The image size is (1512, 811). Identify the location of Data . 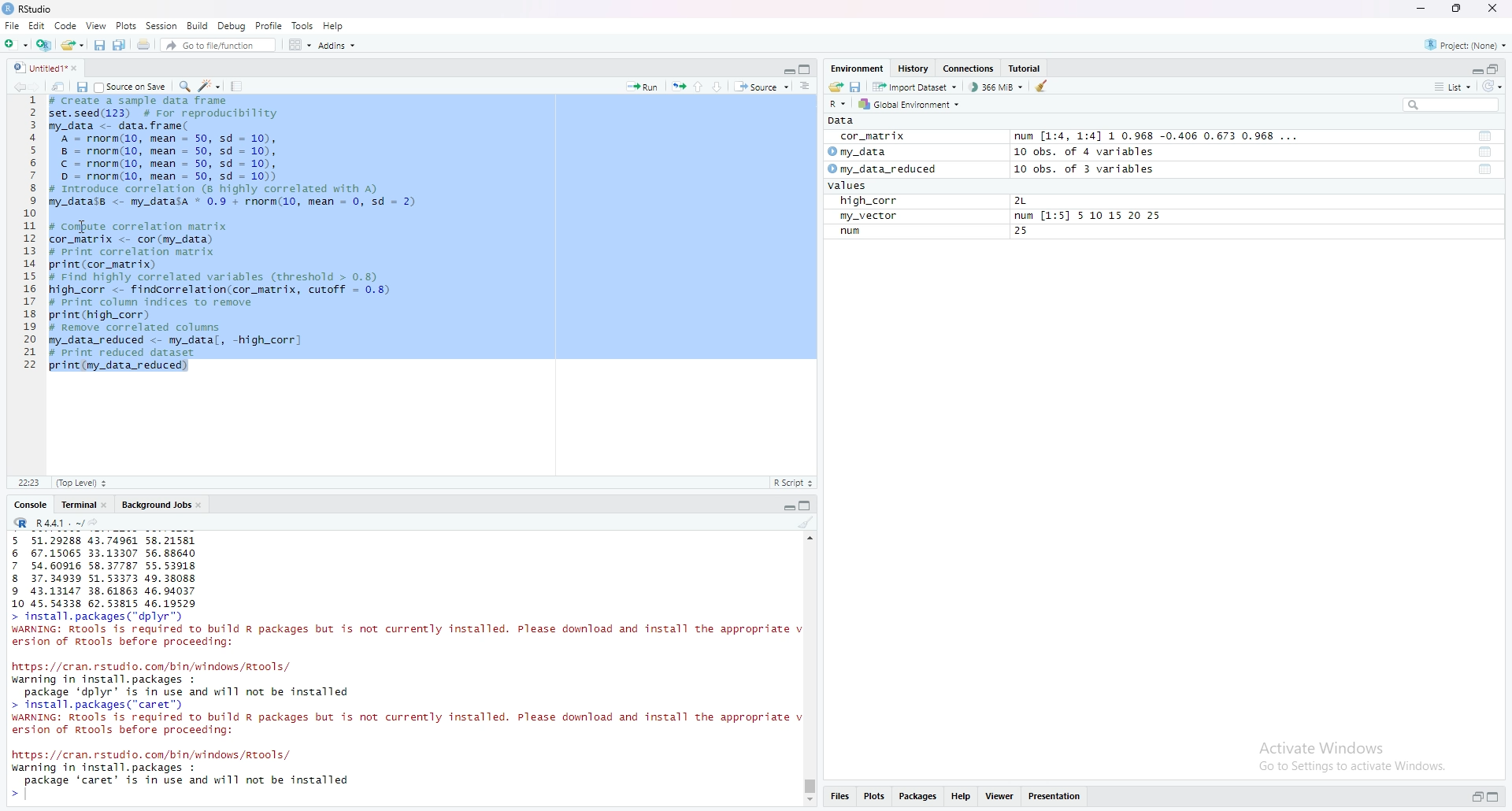
(843, 120).